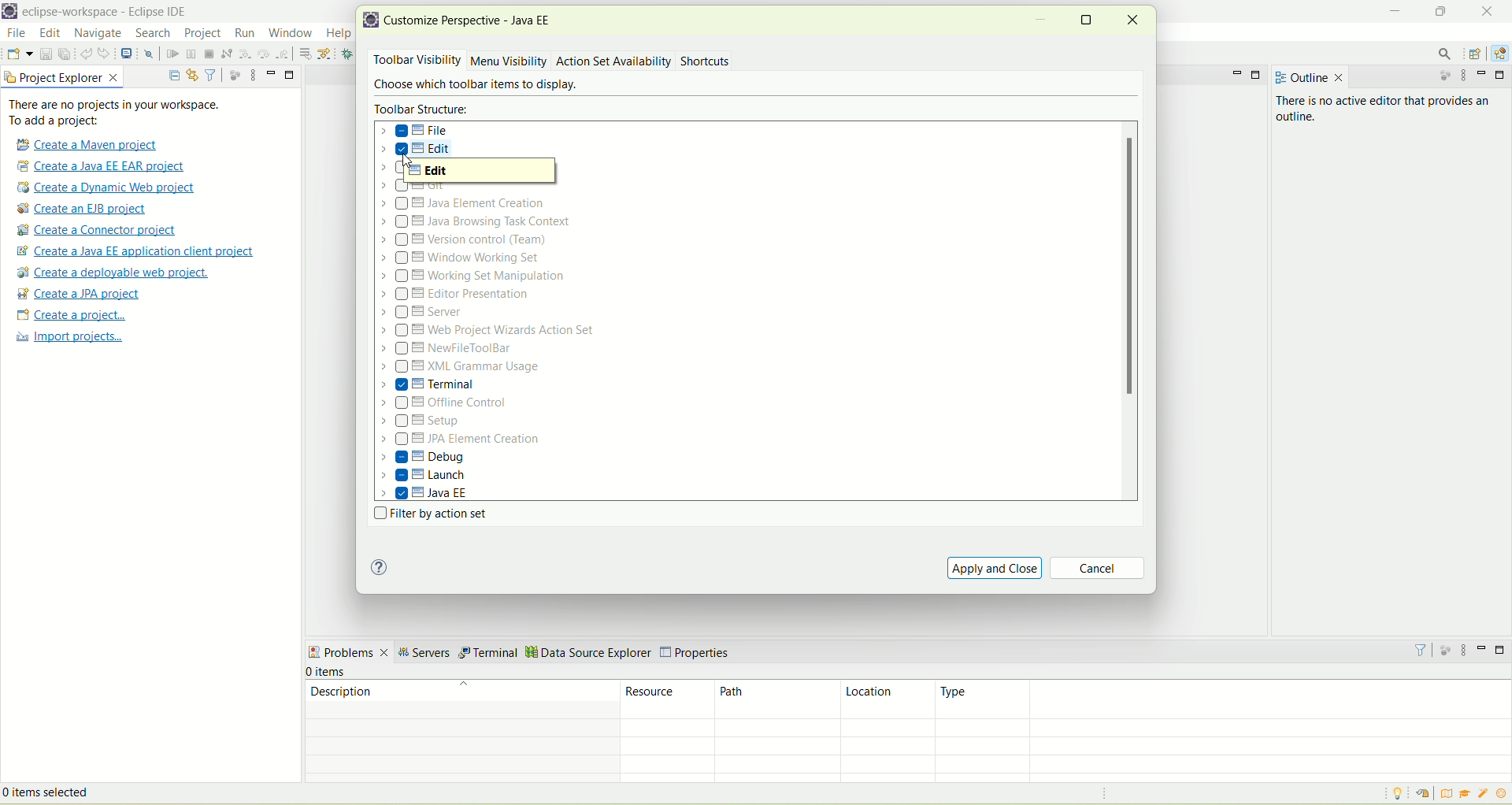 The image size is (1512, 805). What do you see at coordinates (339, 32) in the screenshot?
I see `help` at bounding box center [339, 32].